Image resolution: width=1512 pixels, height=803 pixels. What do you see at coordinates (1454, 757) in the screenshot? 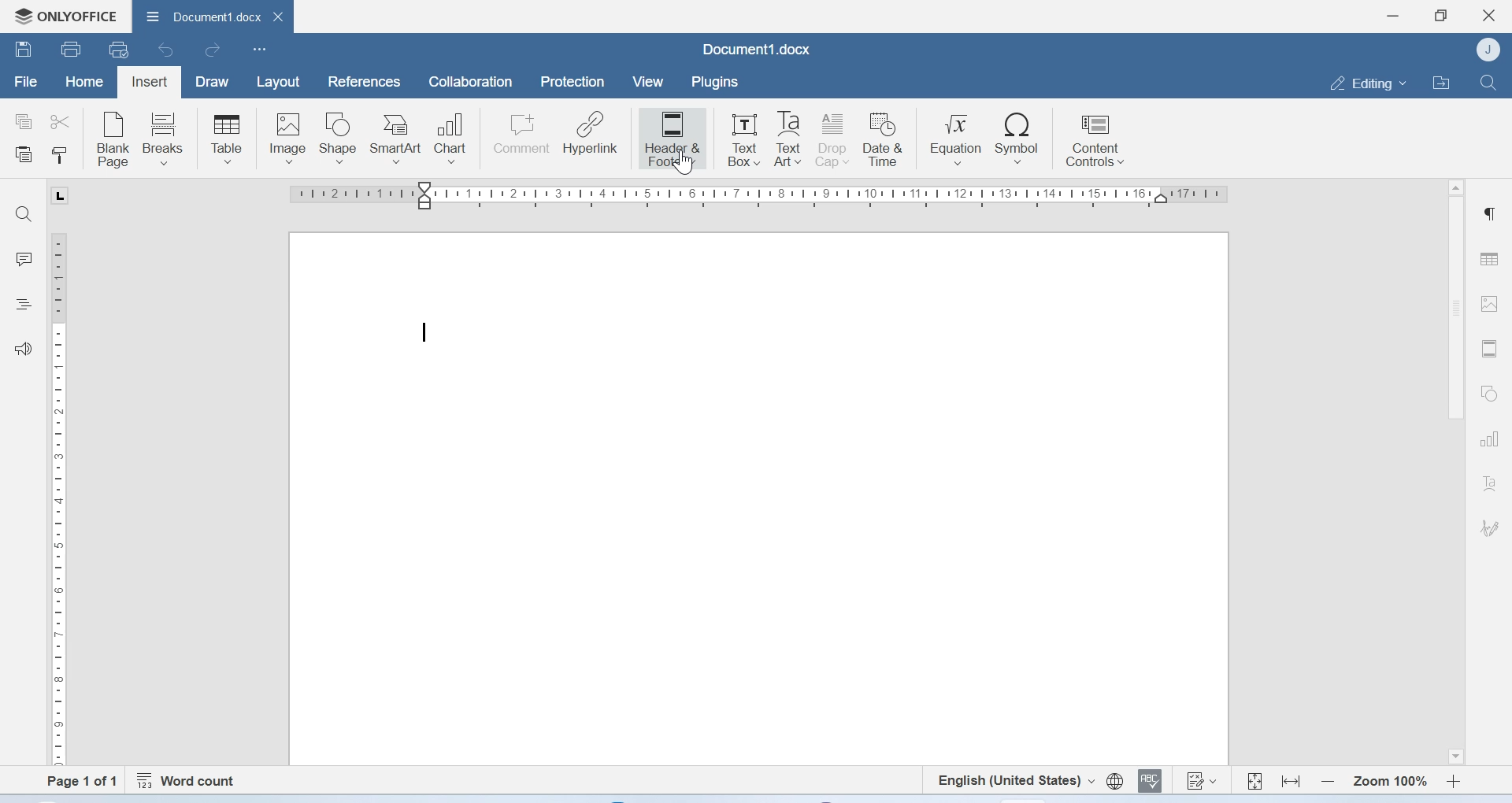
I see `Scroll down` at bounding box center [1454, 757].